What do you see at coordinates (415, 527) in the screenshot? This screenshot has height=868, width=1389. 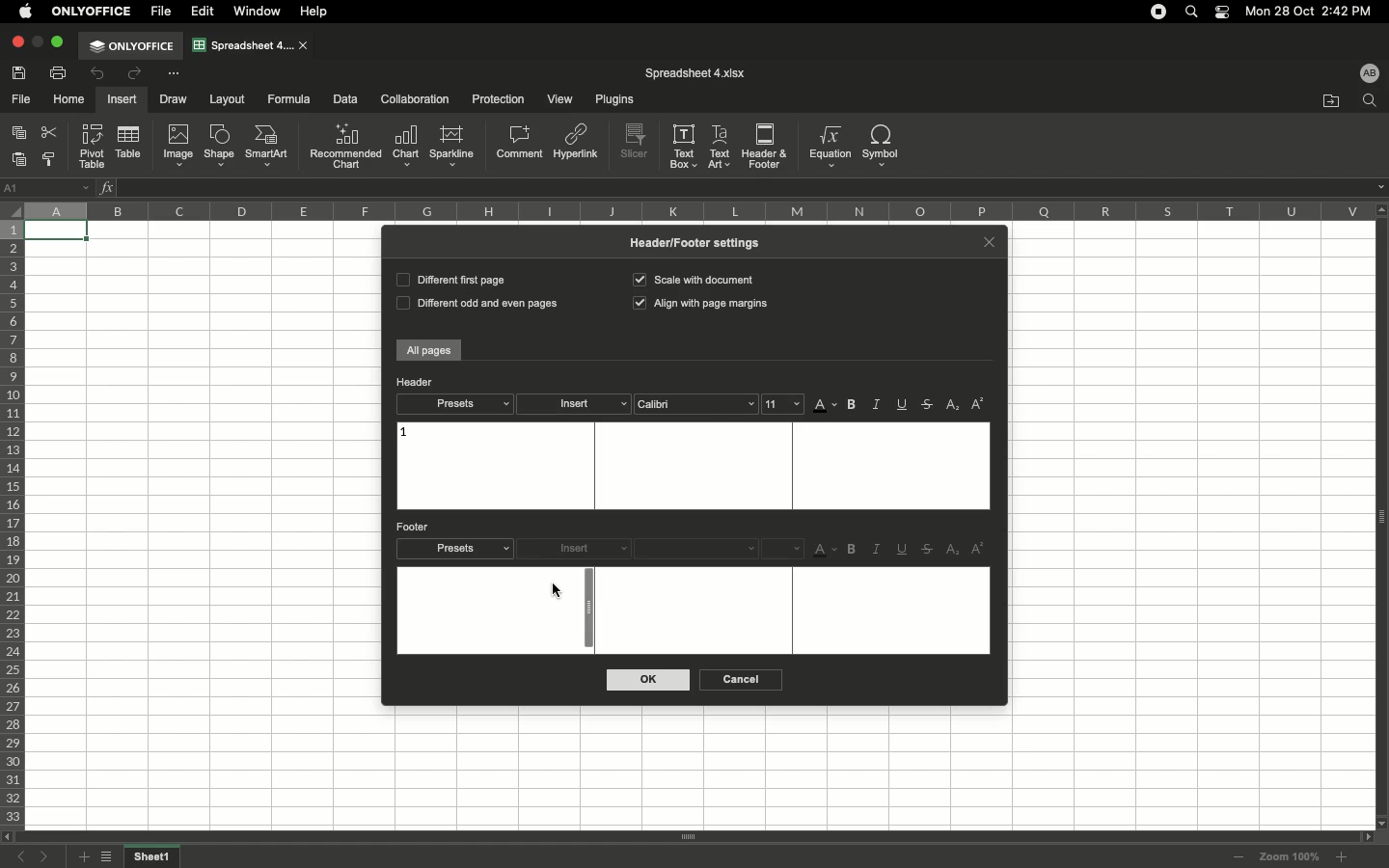 I see `Footer` at bounding box center [415, 527].